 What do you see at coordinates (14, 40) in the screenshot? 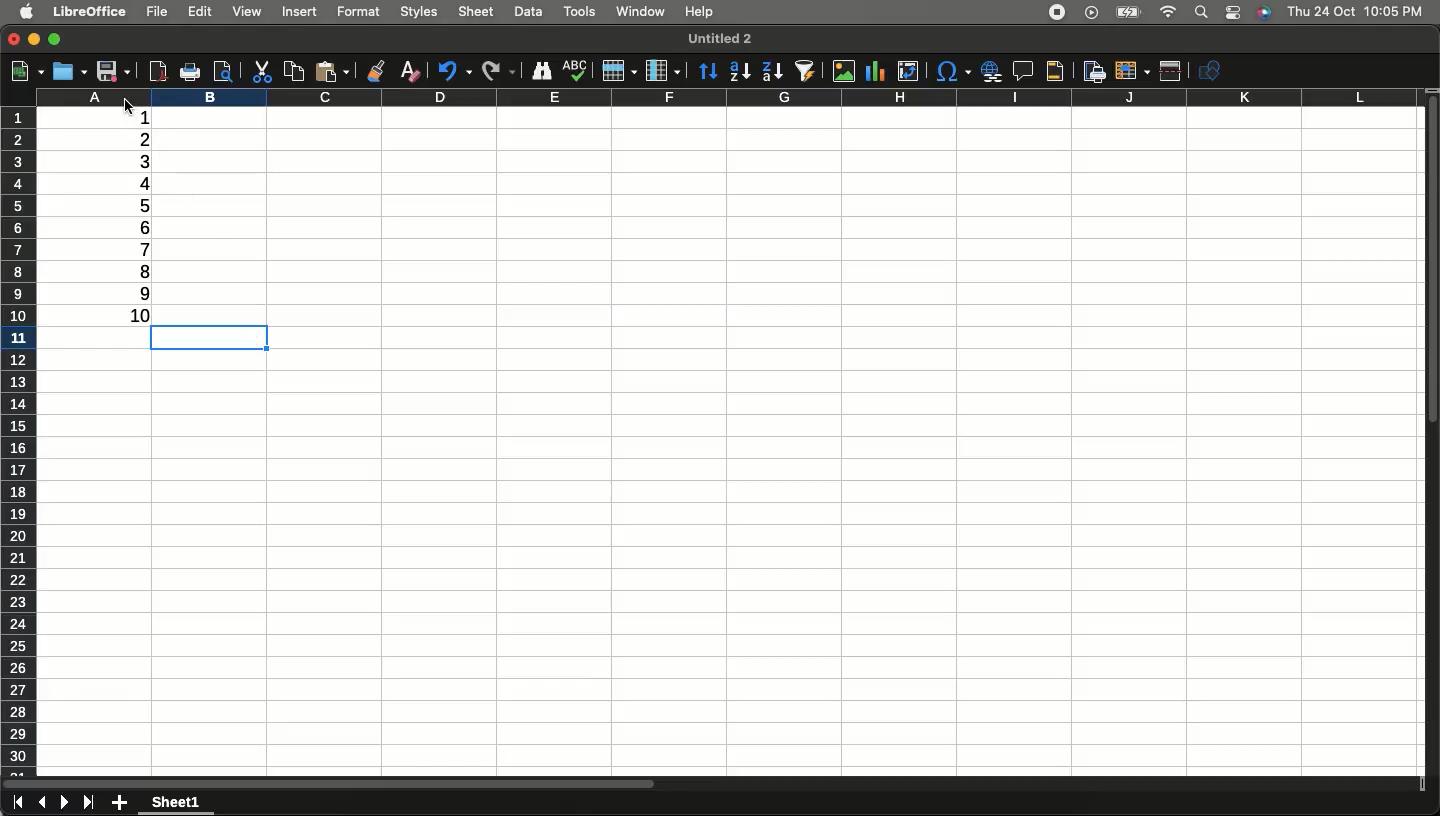
I see `Close` at bounding box center [14, 40].